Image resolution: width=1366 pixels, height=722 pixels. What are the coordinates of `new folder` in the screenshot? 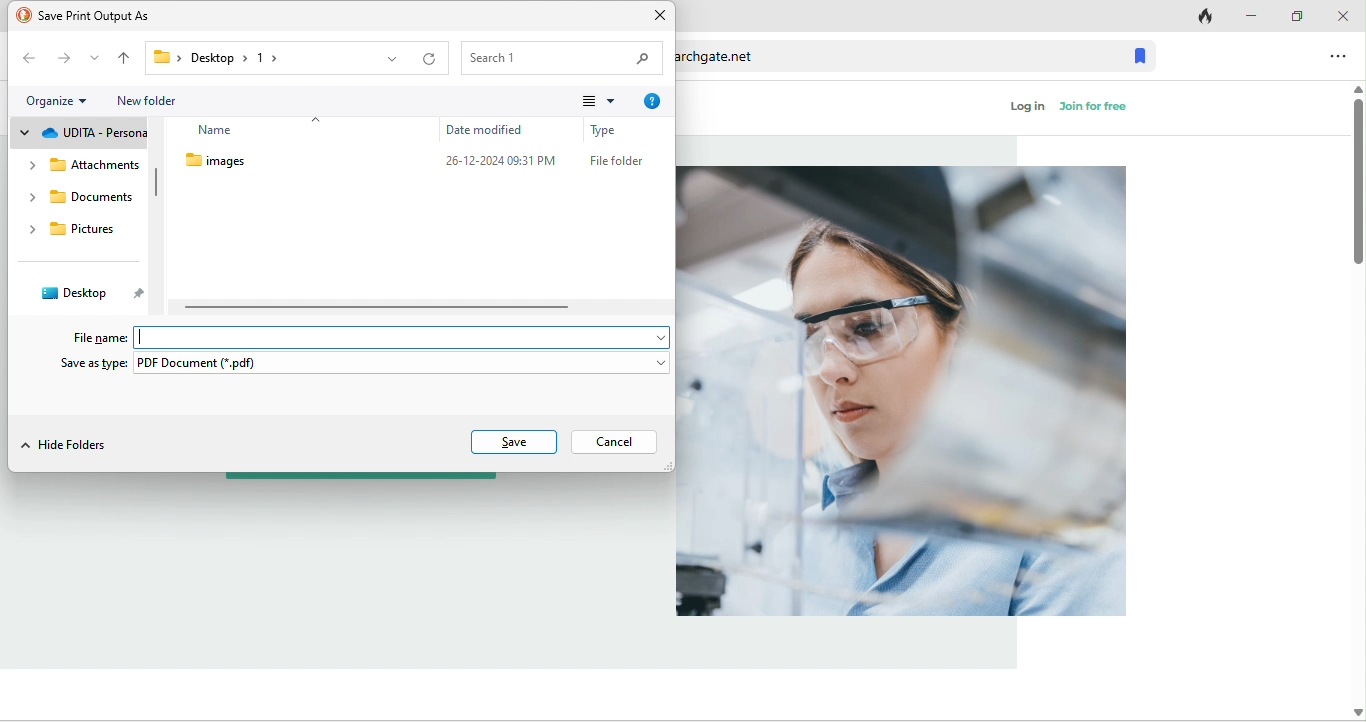 It's located at (160, 100).